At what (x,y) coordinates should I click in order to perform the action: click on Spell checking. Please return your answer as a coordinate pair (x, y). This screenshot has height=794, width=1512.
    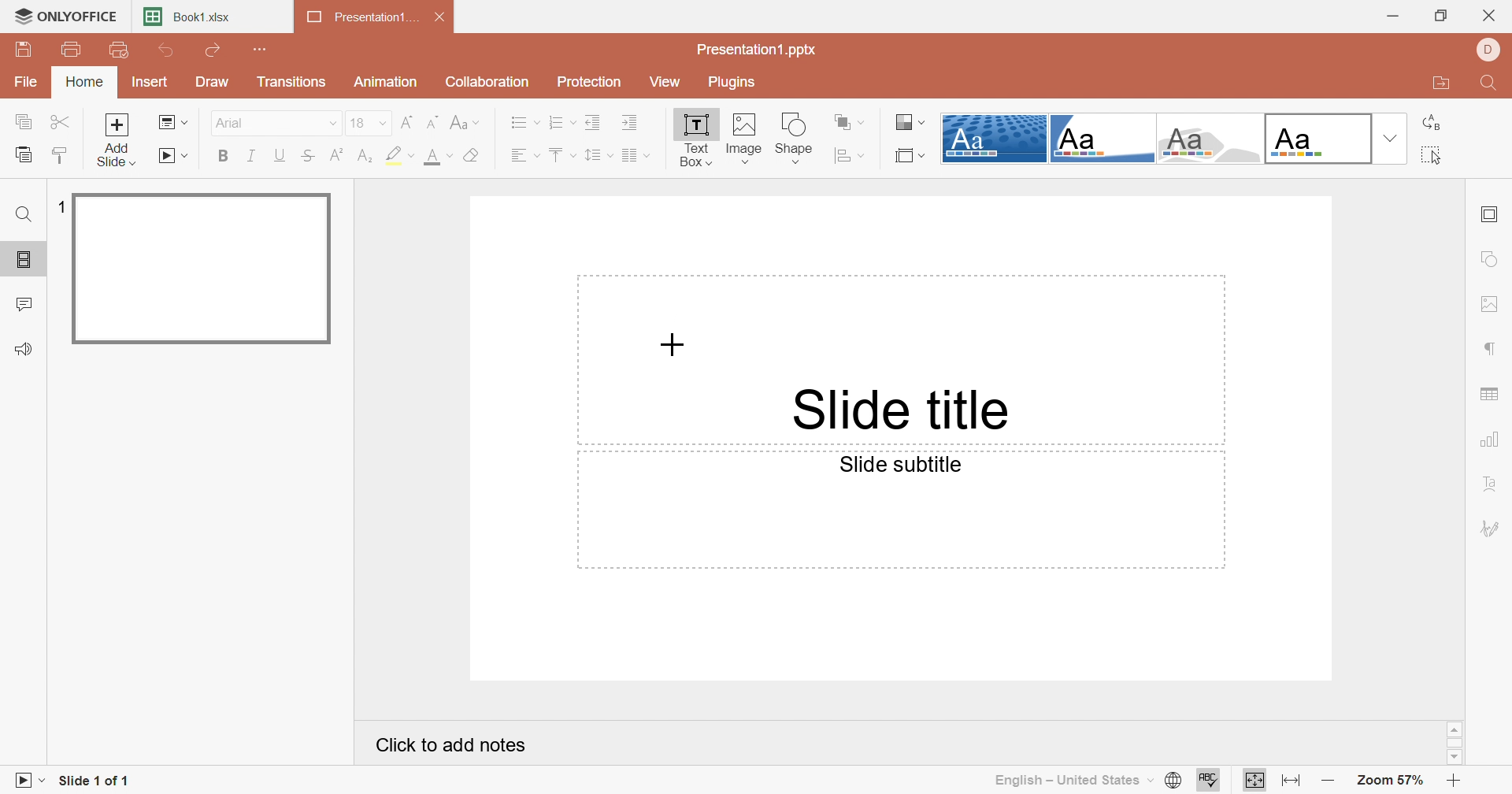
    Looking at the image, I should click on (1209, 780).